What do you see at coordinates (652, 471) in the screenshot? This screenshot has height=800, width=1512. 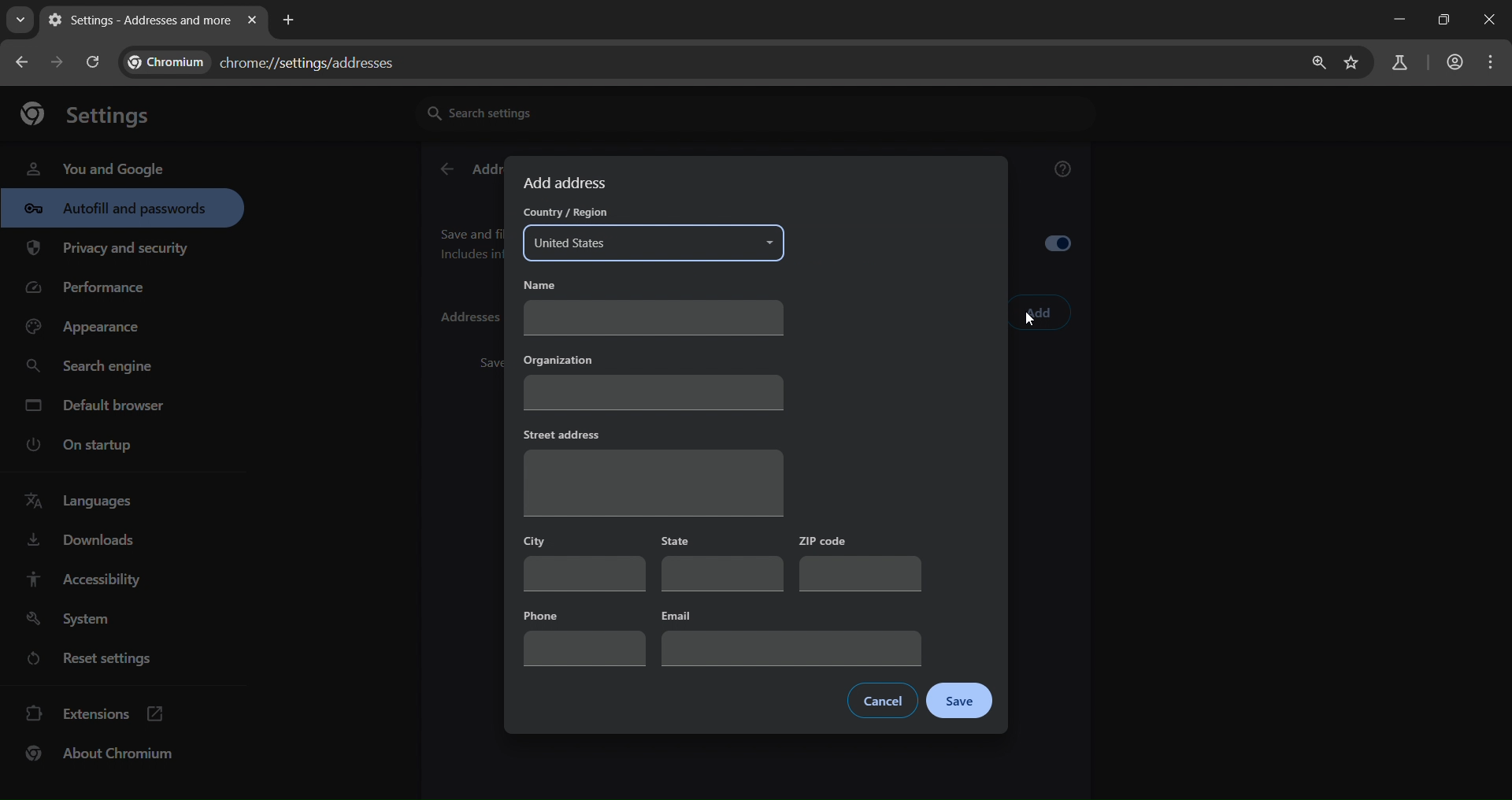 I see `street address` at bounding box center [652, 471].